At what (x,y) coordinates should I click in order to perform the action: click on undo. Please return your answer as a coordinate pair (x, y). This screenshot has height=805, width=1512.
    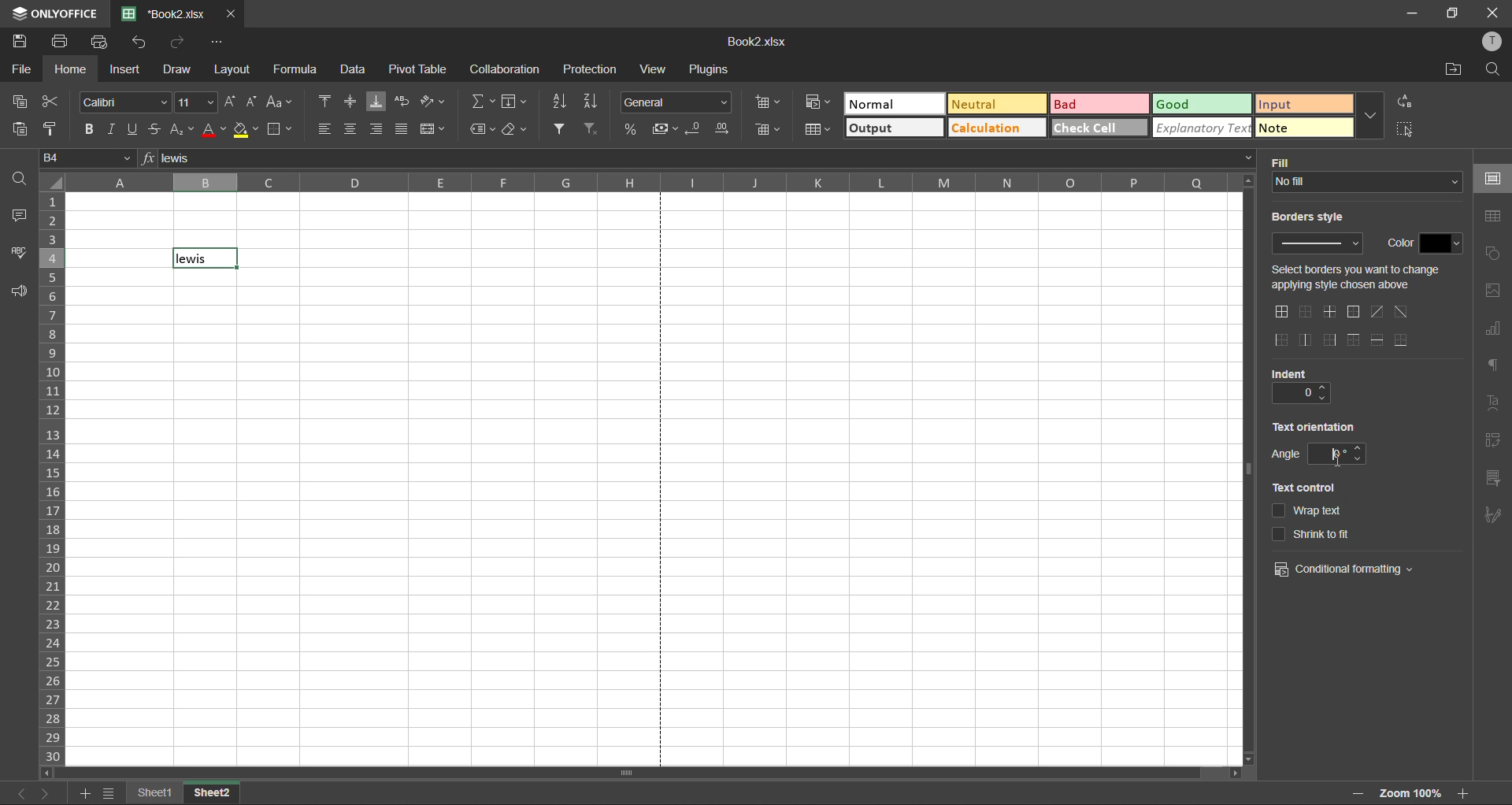
    Looking at the image, I should click on (139, 42).